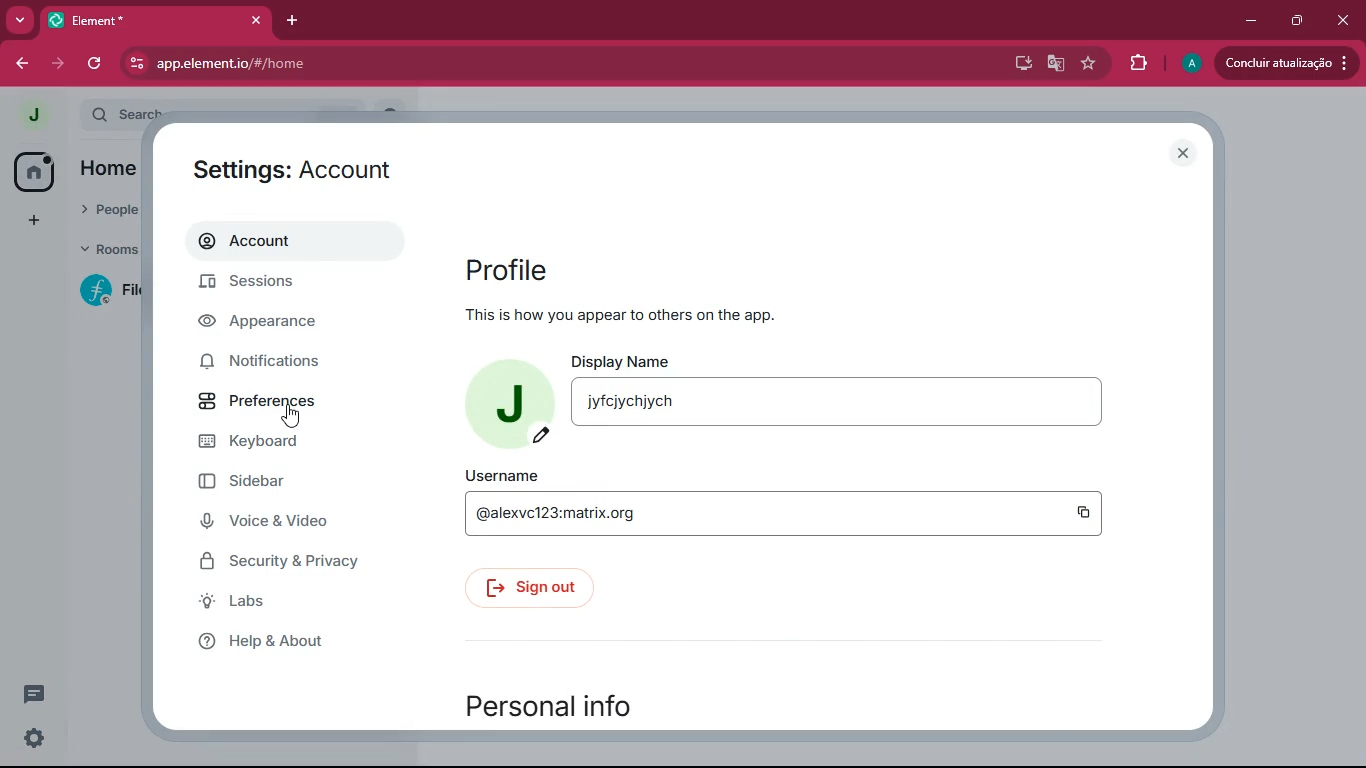 The image size is (1366, 768). What do you see at coordinates (293, 414) in the screenshot?
I see `cursor` at bounding box center [293, 414].